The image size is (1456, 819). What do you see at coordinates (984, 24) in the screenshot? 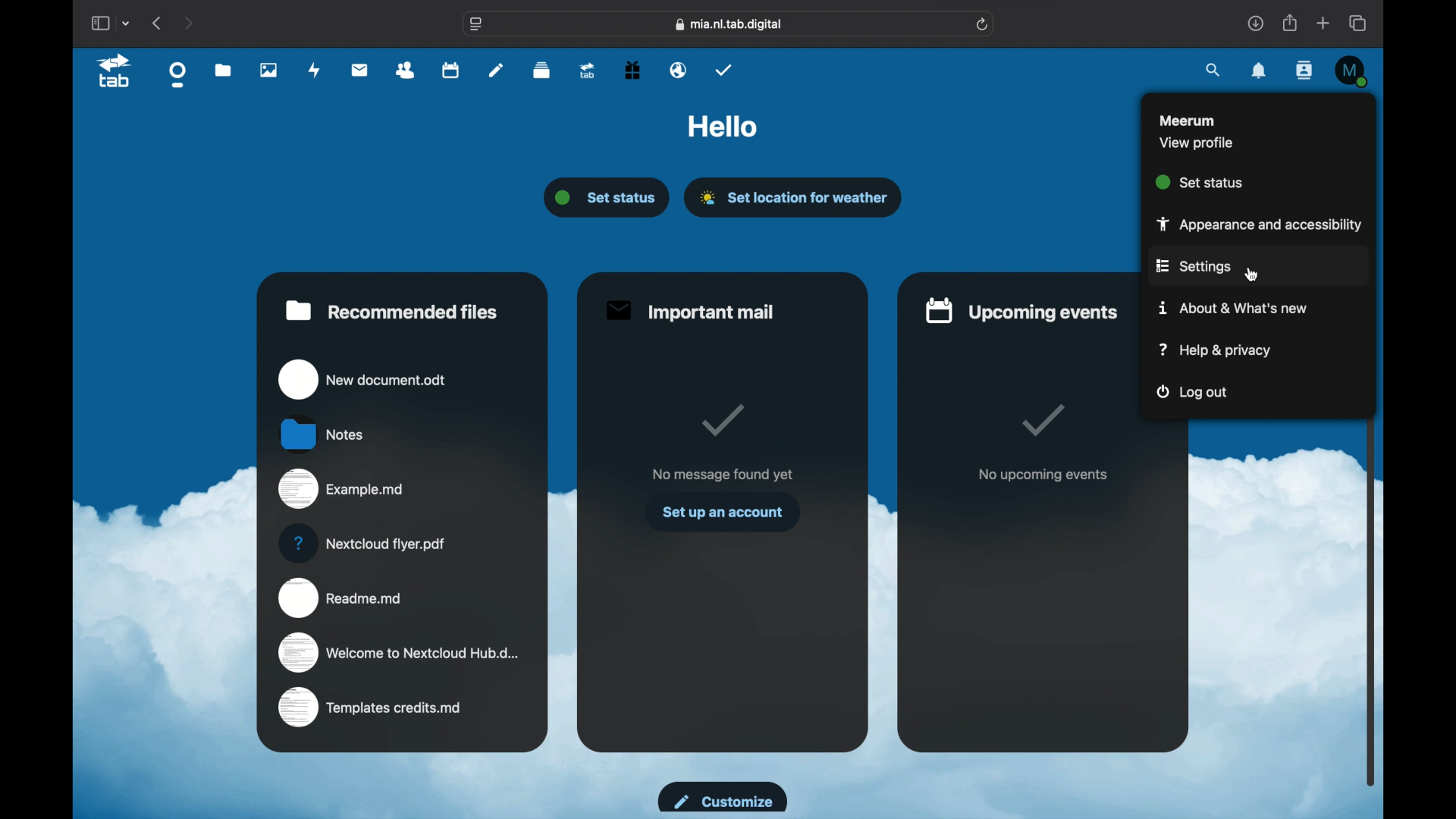
I see `refresh` at bounding box center [984, 24].